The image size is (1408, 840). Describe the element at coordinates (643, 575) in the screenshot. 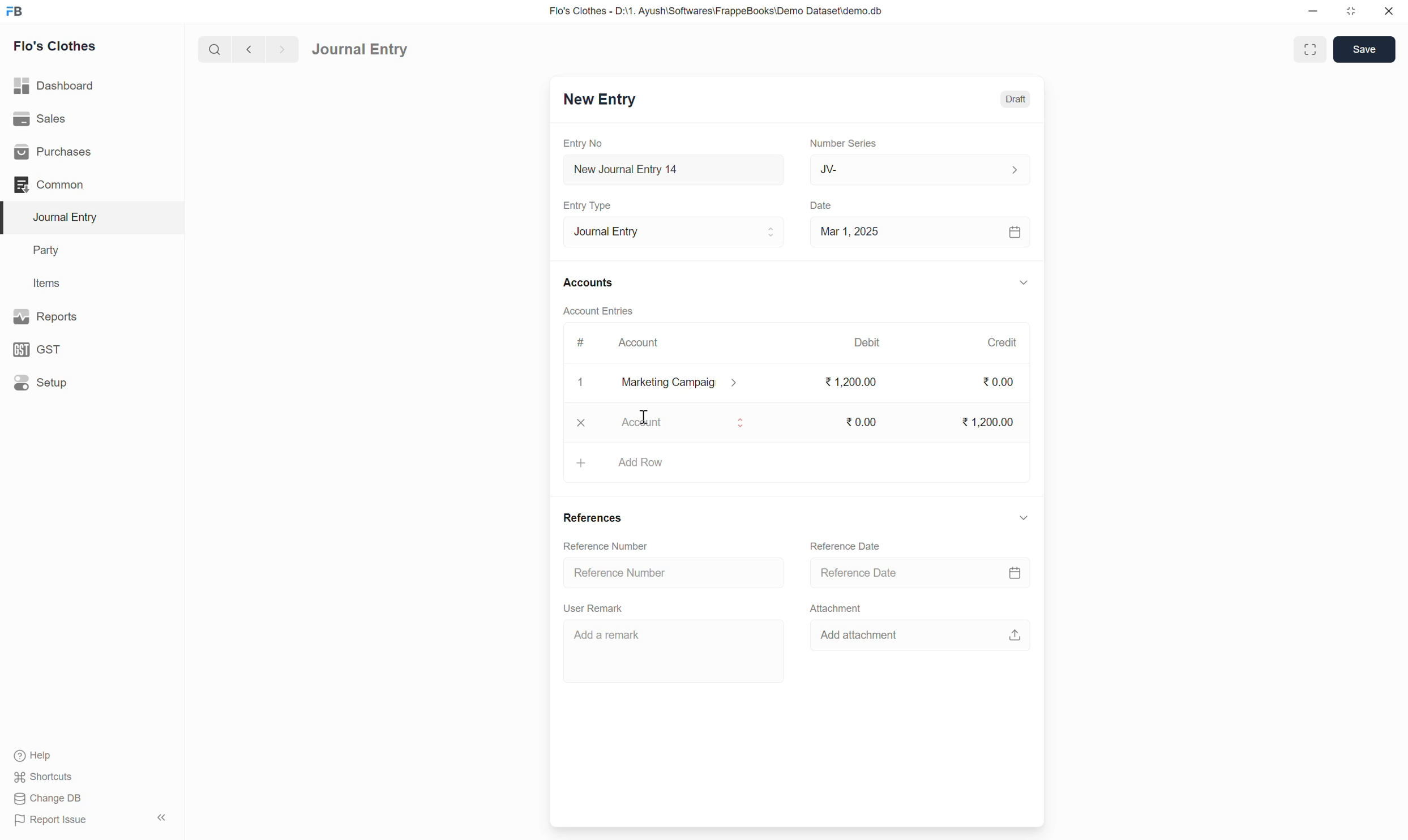

I see `Reference Number` at that location.